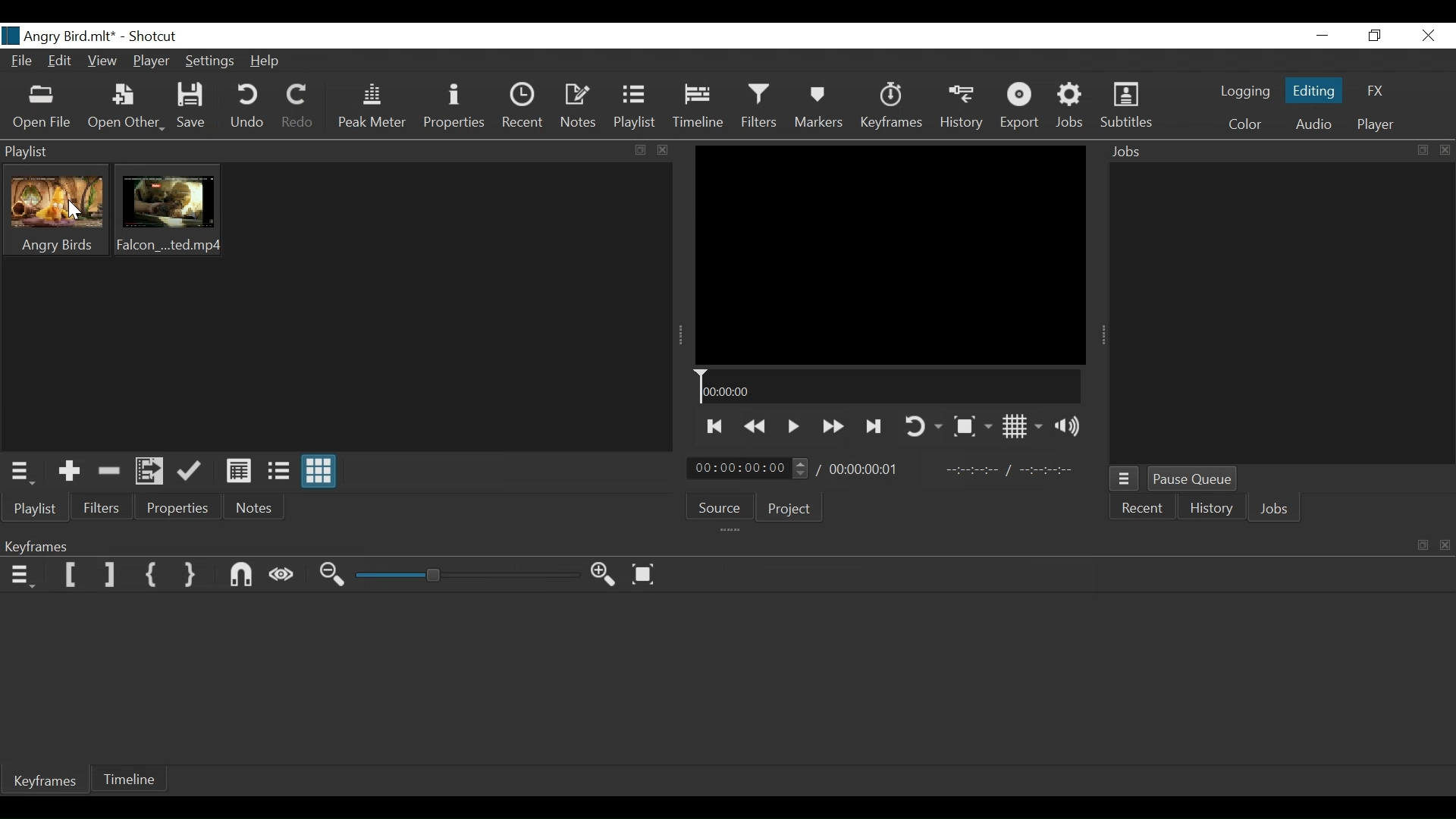  What do you see at coordinates (78, 211) in the screenshot?
I see `Cursor` at bounding box center [78, 211].